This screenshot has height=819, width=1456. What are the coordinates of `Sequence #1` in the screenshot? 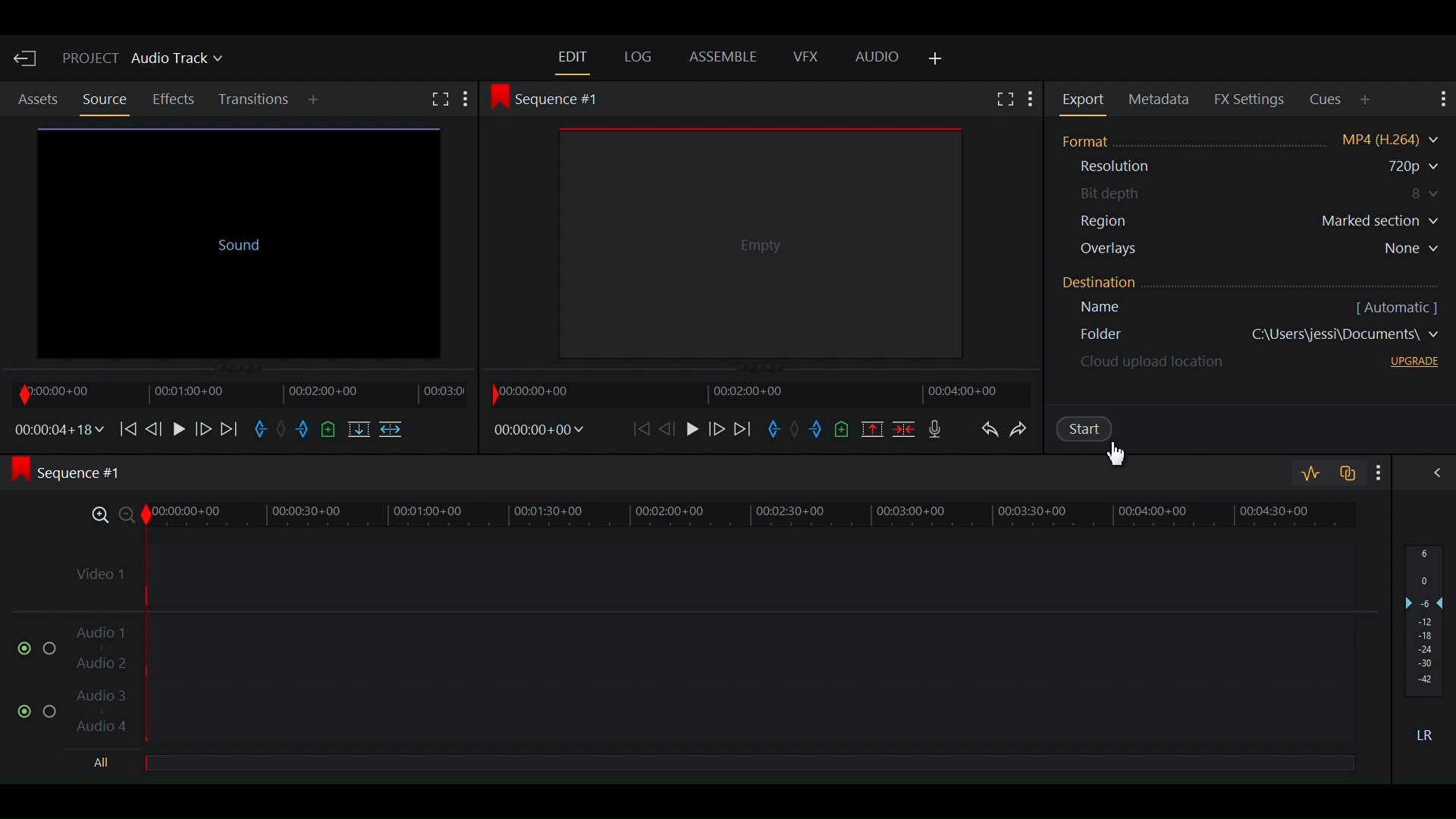 It's located at (551, 98).